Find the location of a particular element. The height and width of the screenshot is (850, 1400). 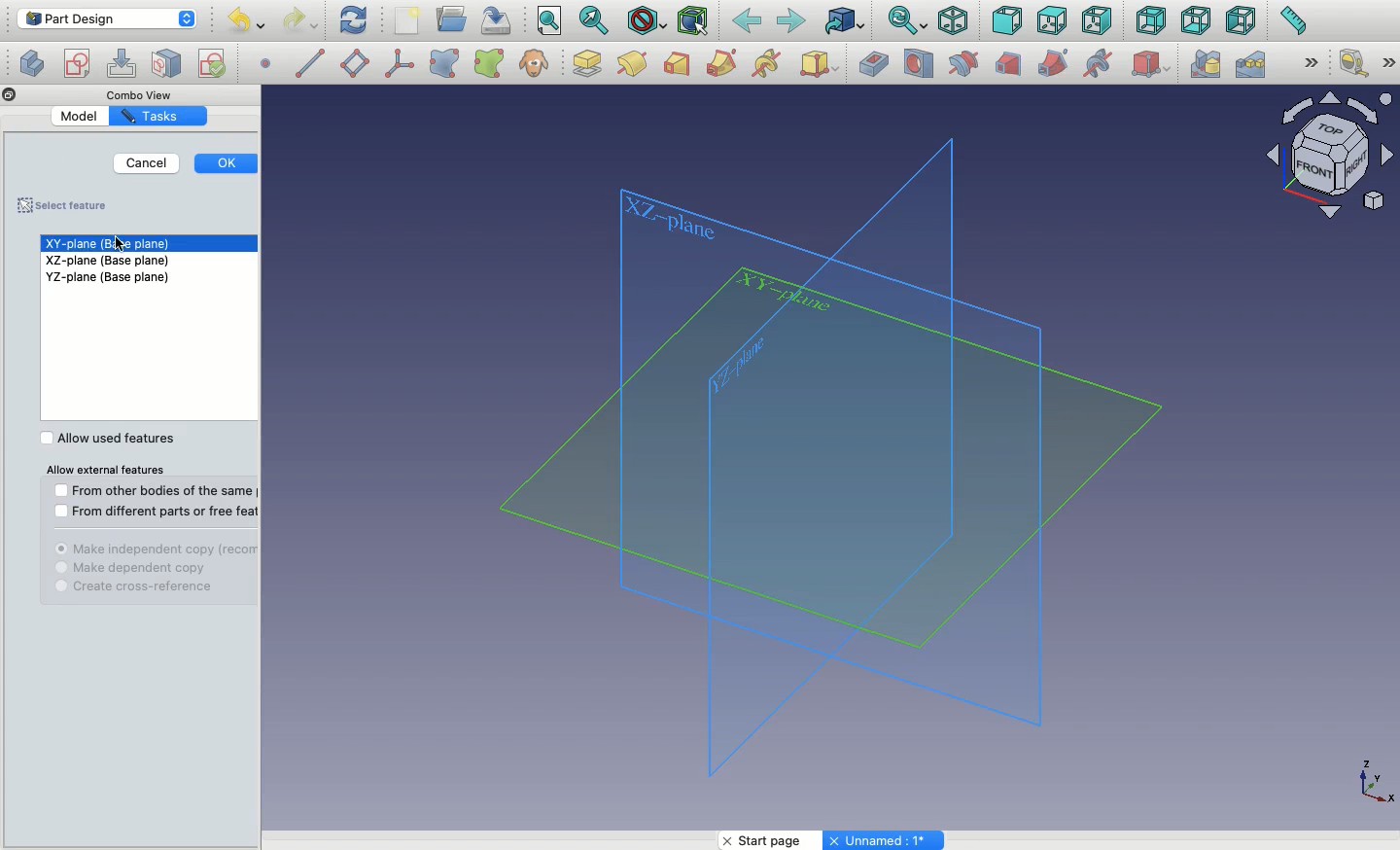

Redo is located at coordinates (303, 20).